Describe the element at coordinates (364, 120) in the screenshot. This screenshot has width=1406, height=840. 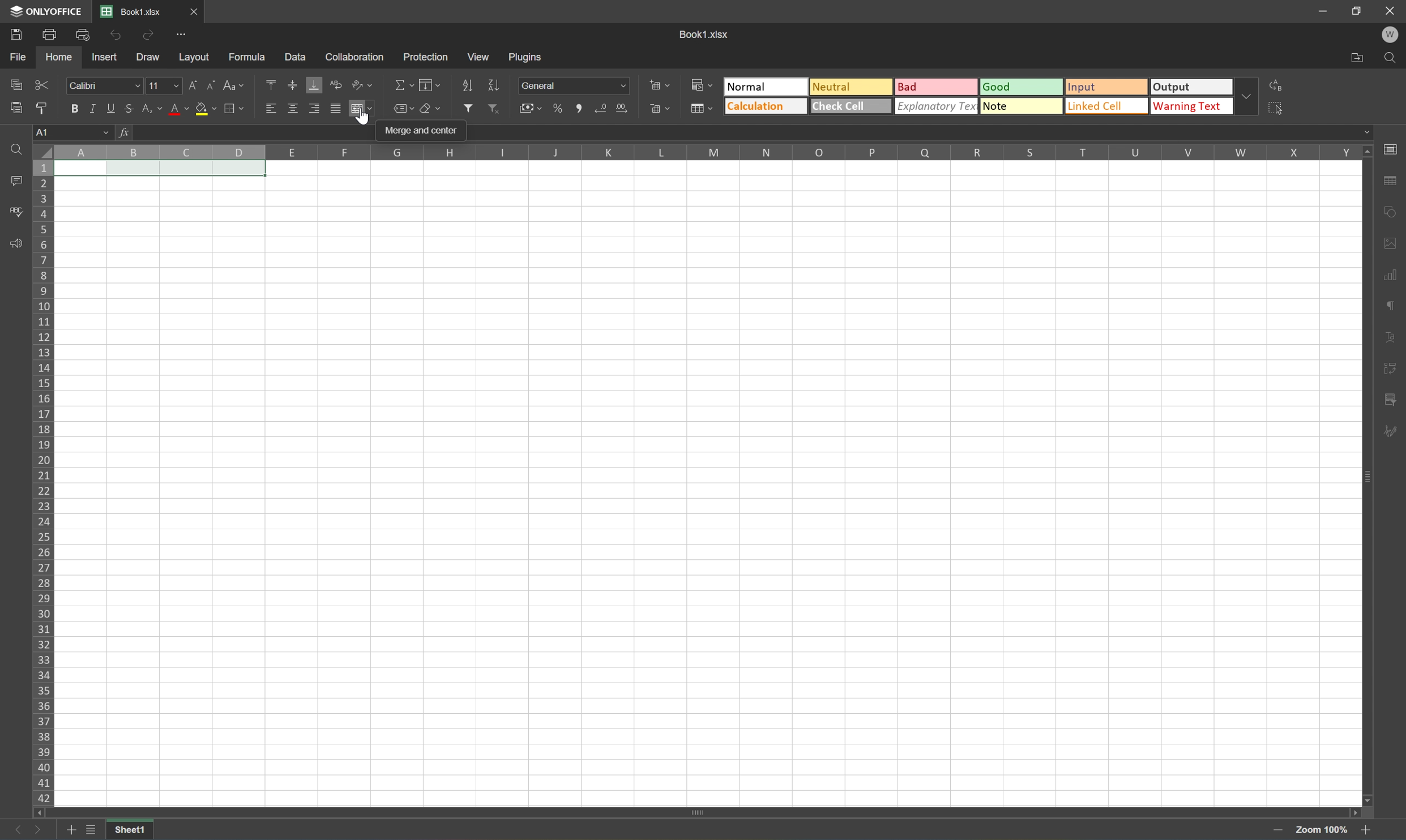
I see `Cursor` at that location.